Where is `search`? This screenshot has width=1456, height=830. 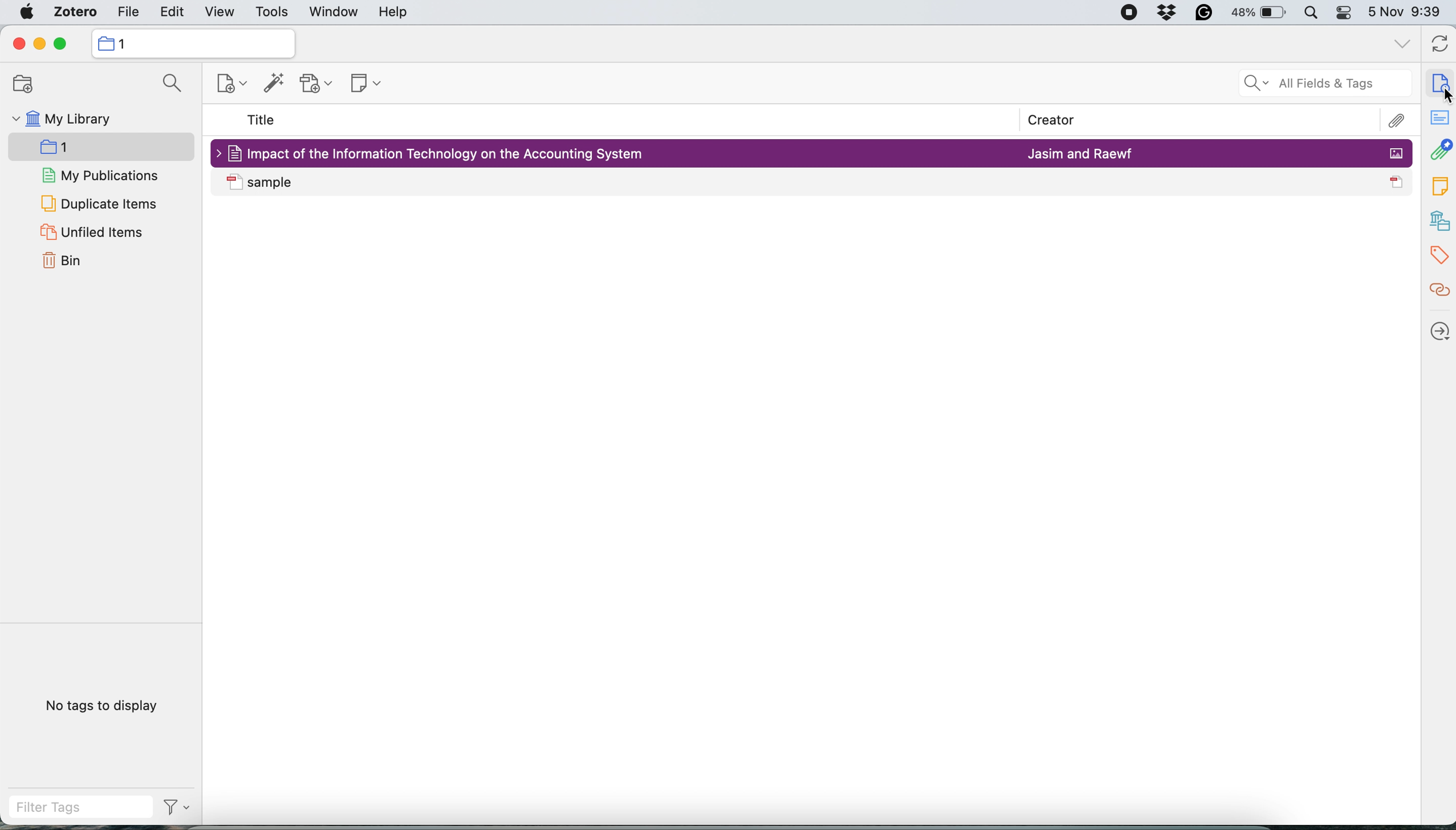
search is located at coordinates (169, 83).